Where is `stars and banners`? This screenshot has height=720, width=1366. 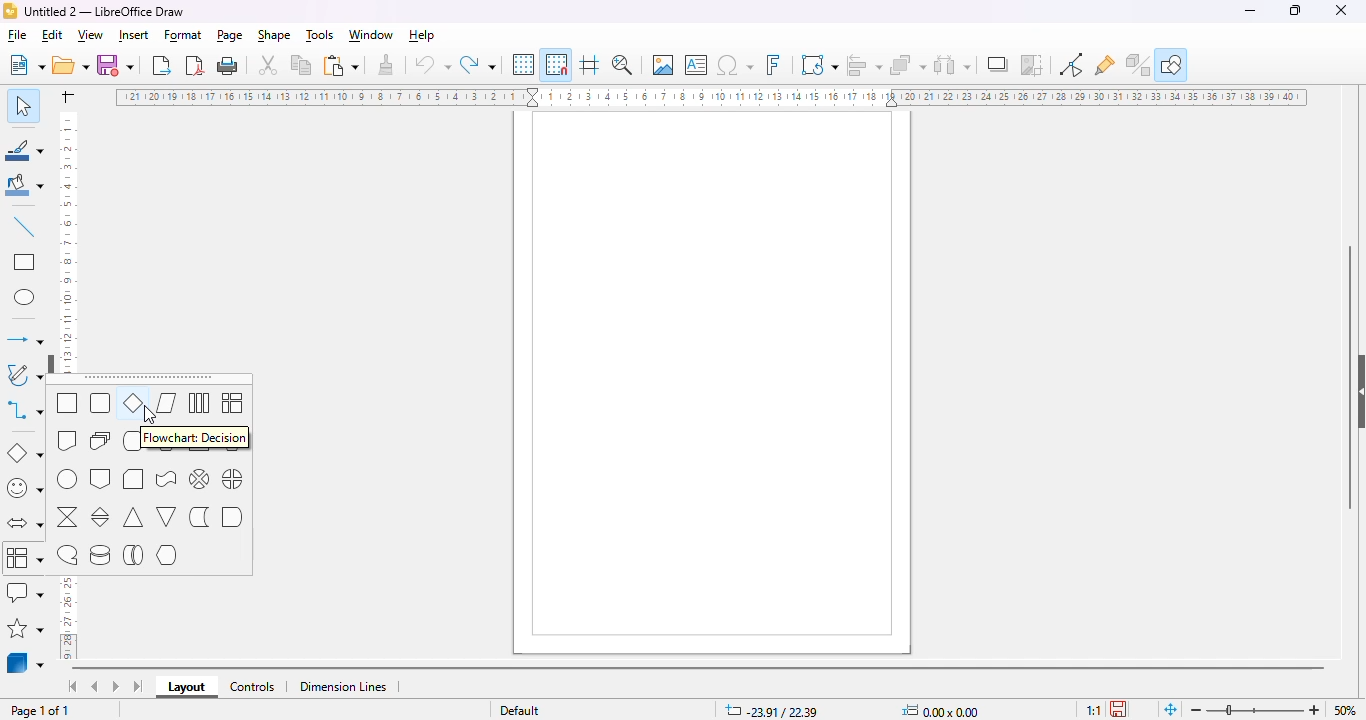
stars and banners is located at coordinates (27, 629).